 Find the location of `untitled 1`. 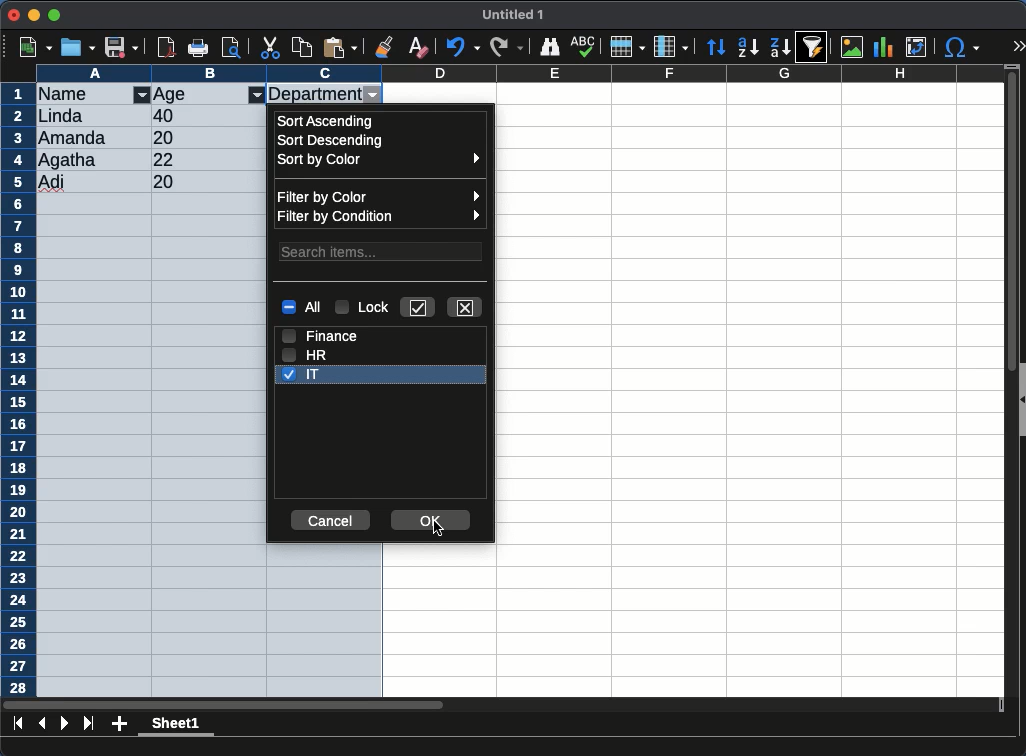

untitled 1 is located at coordinates (514, 15).